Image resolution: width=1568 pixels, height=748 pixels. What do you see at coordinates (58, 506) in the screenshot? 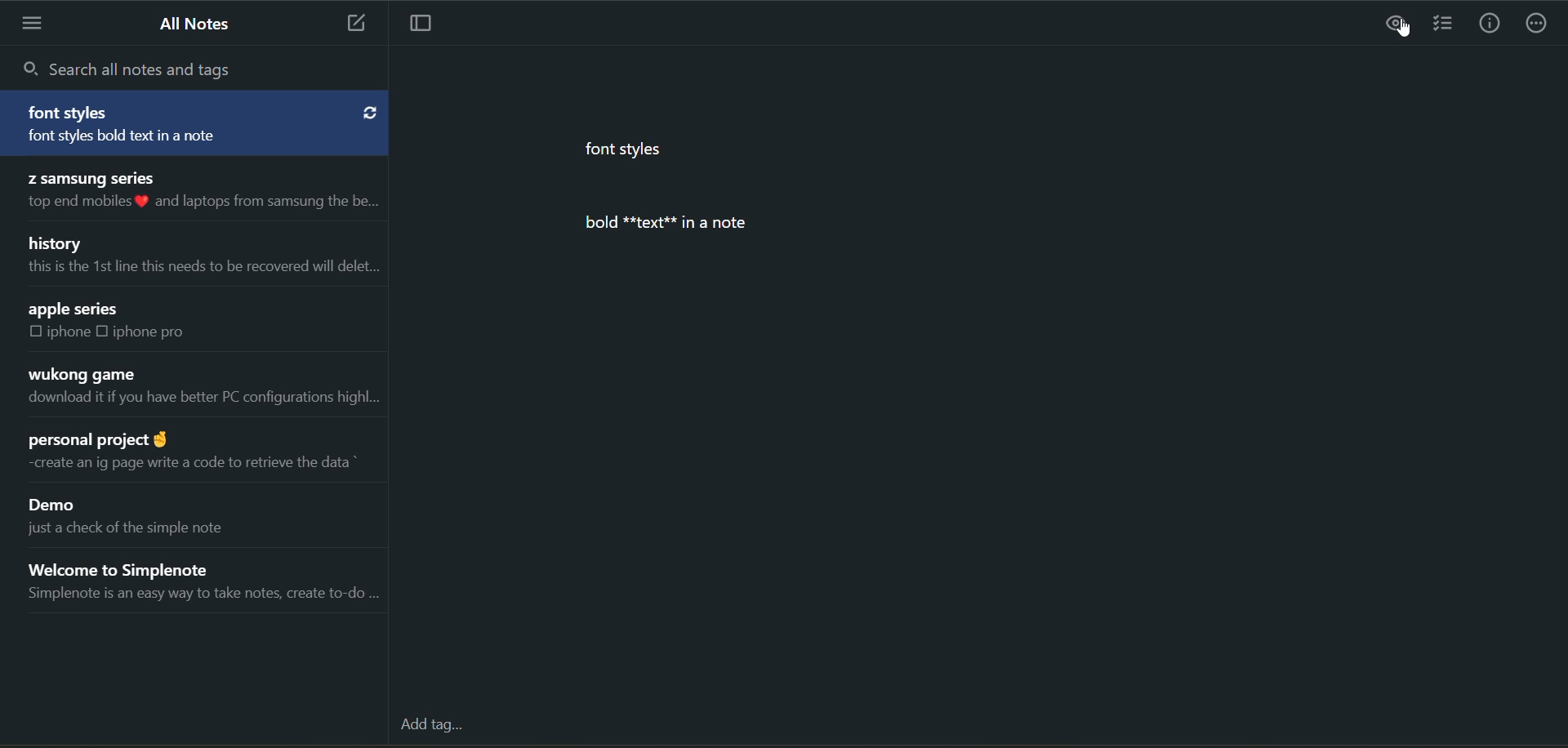
I see `Demo` at bounding box center [58, 506].